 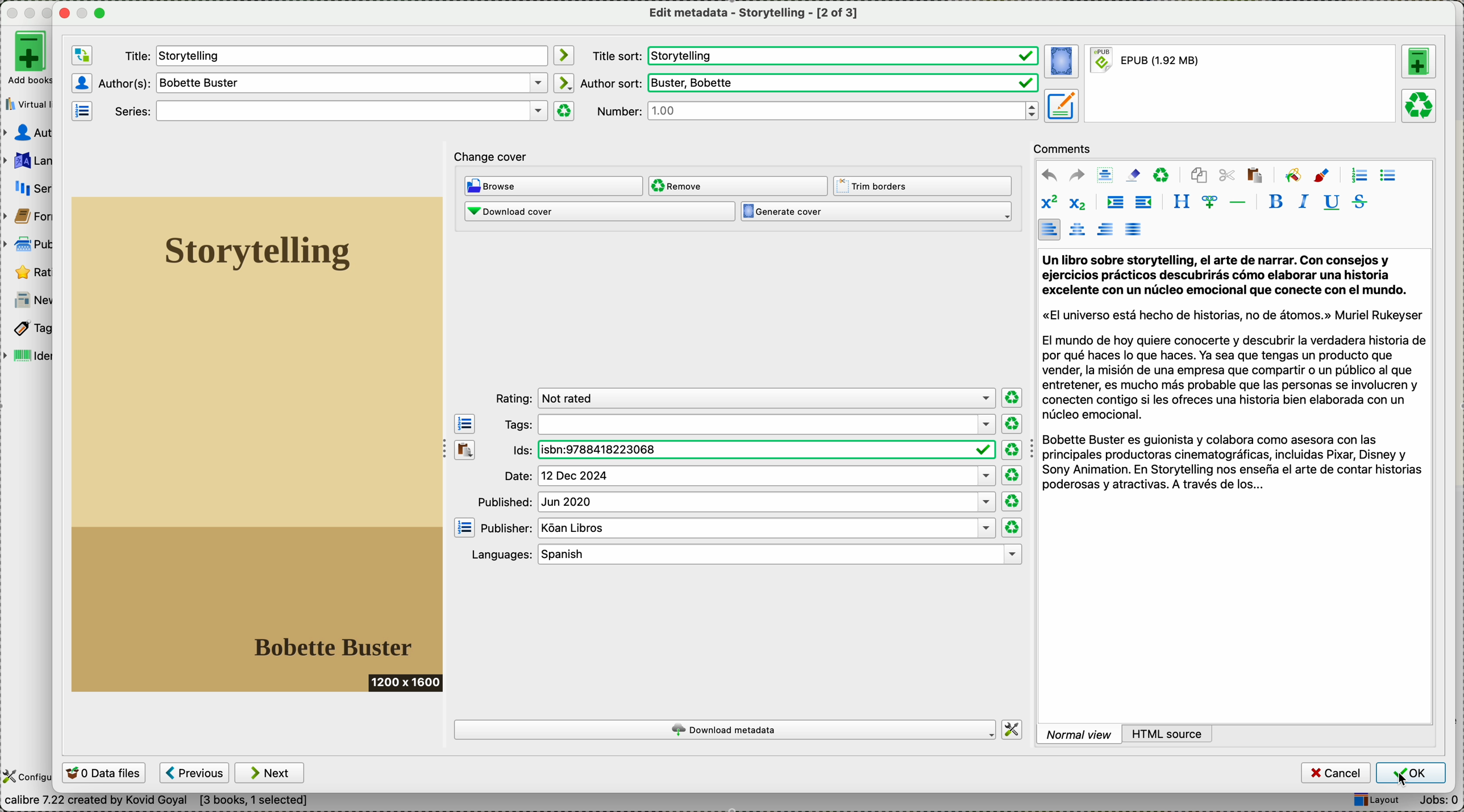 I want to click on OK, so click(x=1411, y=773).